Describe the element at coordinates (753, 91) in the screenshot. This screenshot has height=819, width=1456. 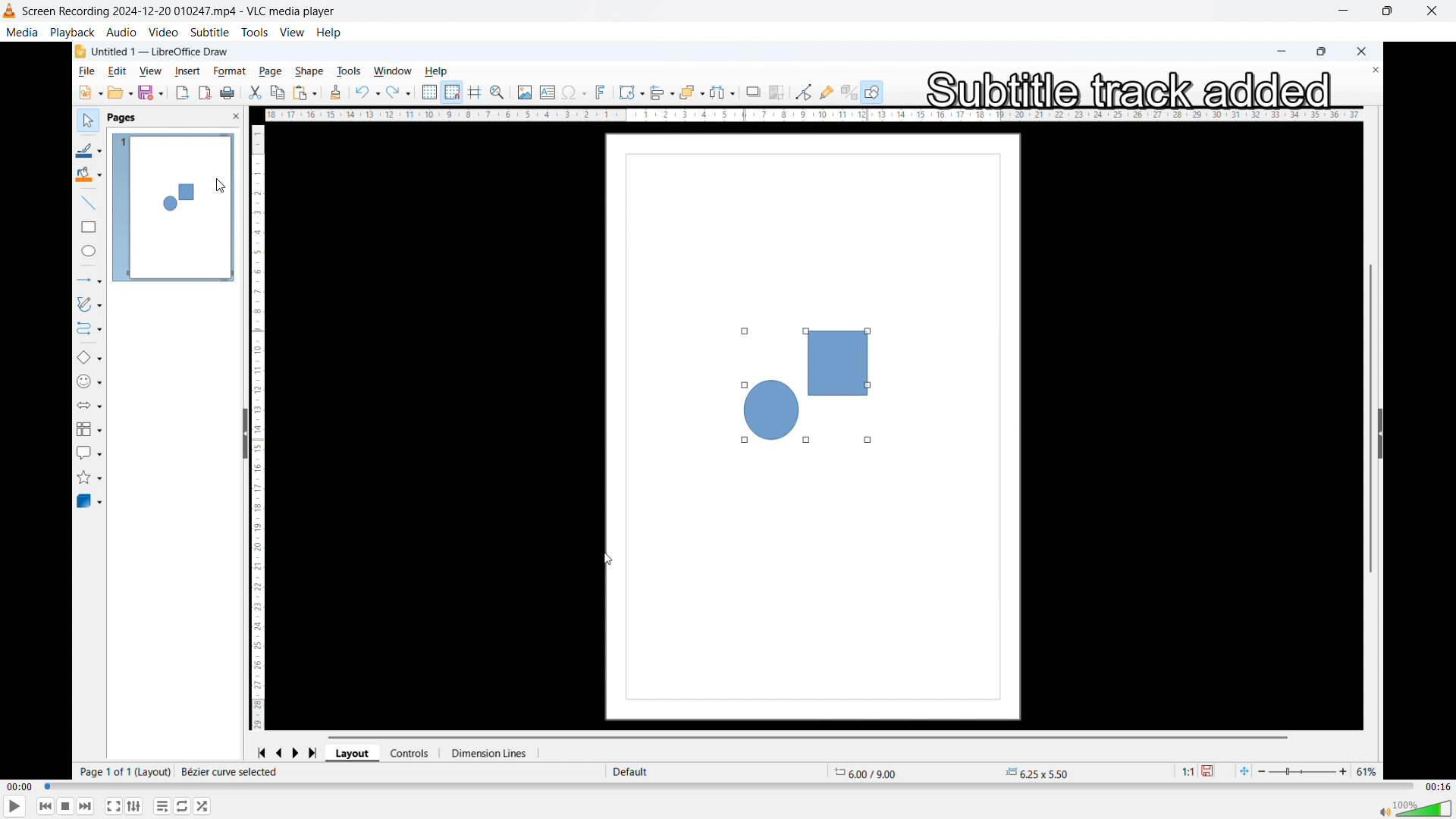
I see `shadow` at that location.